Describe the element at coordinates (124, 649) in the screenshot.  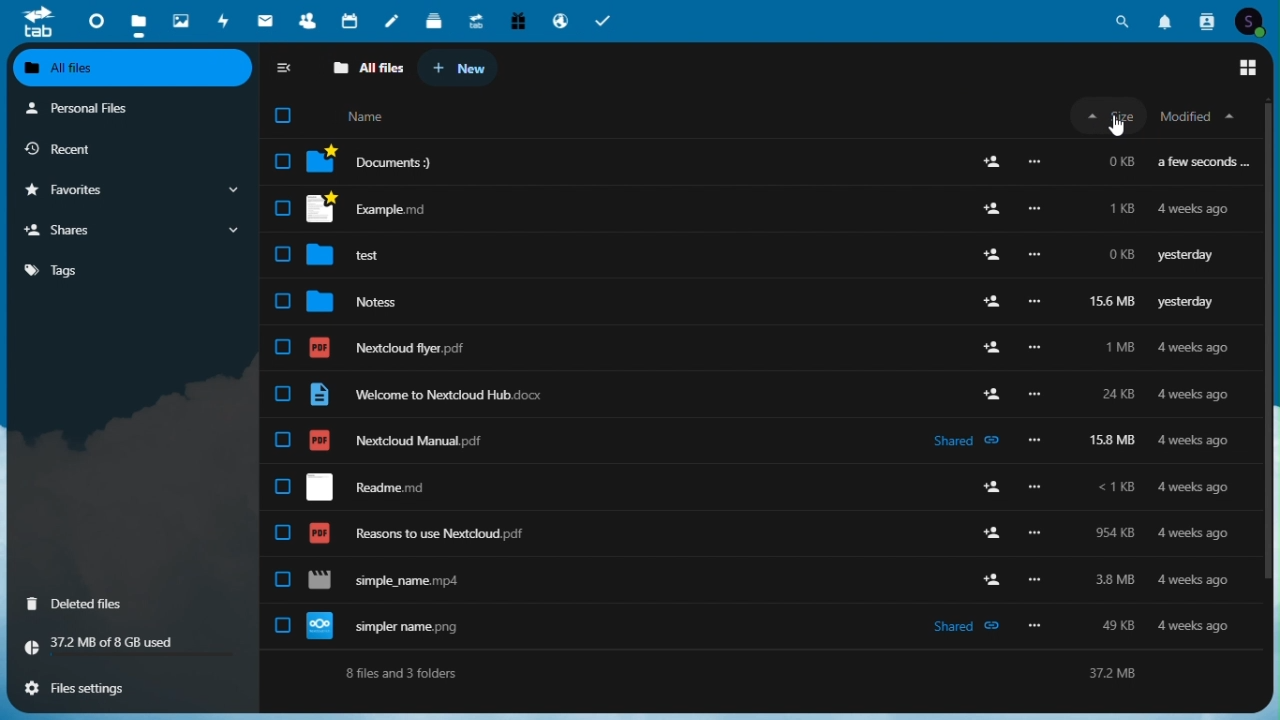
I see `Storage` at that location.